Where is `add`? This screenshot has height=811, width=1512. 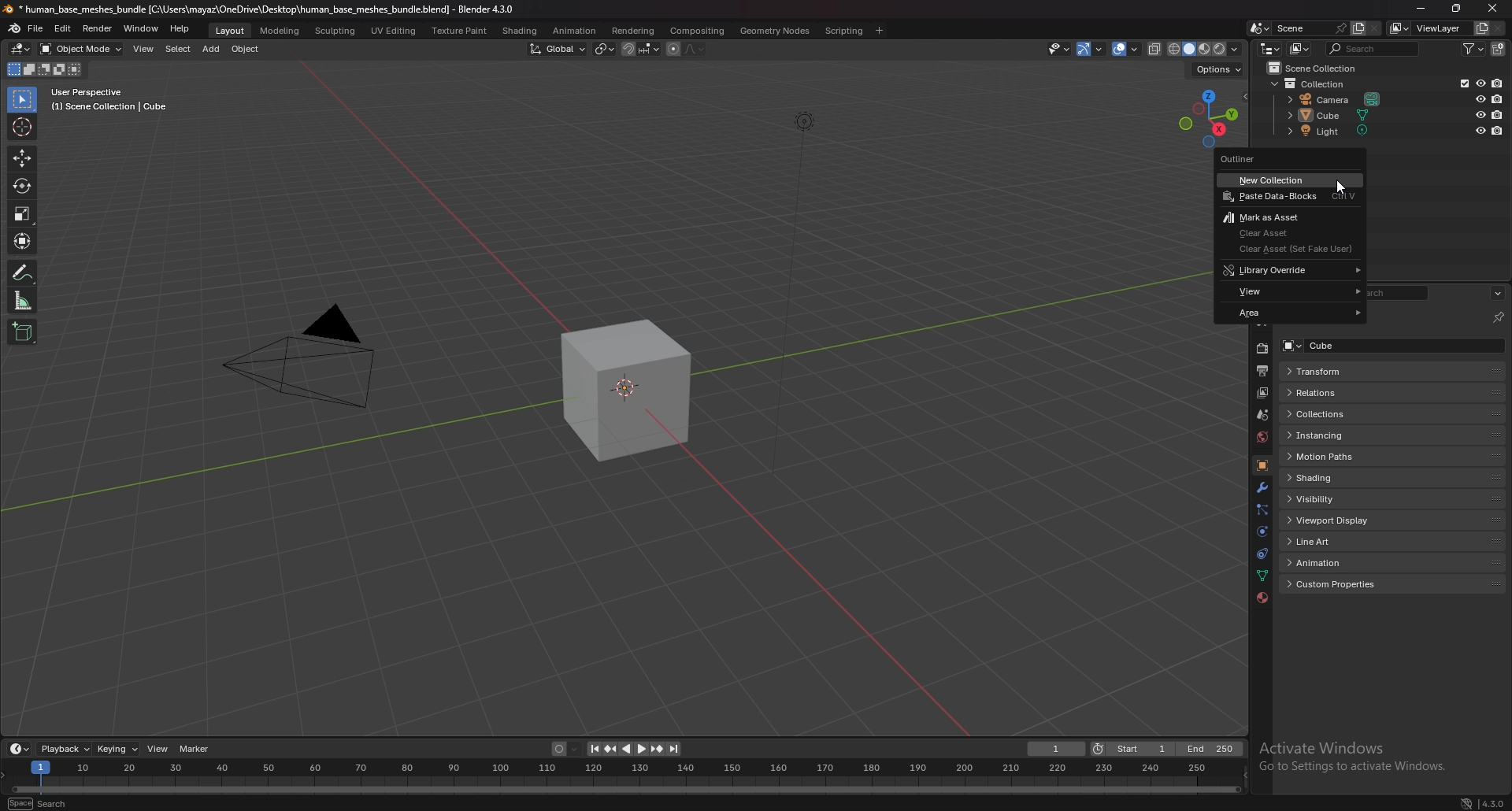 add is located at coordinates (211, 49).